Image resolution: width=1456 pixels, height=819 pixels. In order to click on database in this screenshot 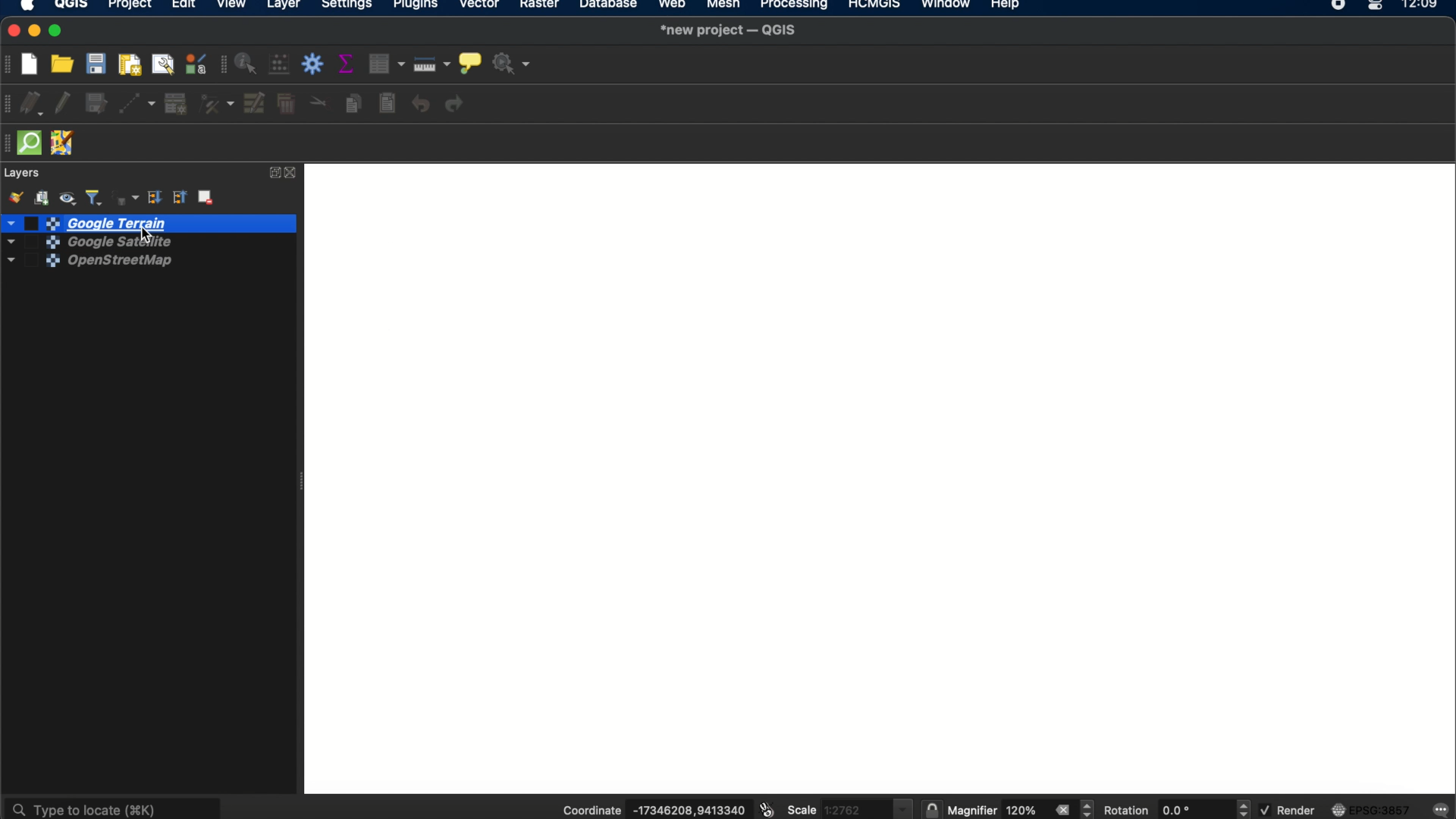, I will do `click(609, 6)`.